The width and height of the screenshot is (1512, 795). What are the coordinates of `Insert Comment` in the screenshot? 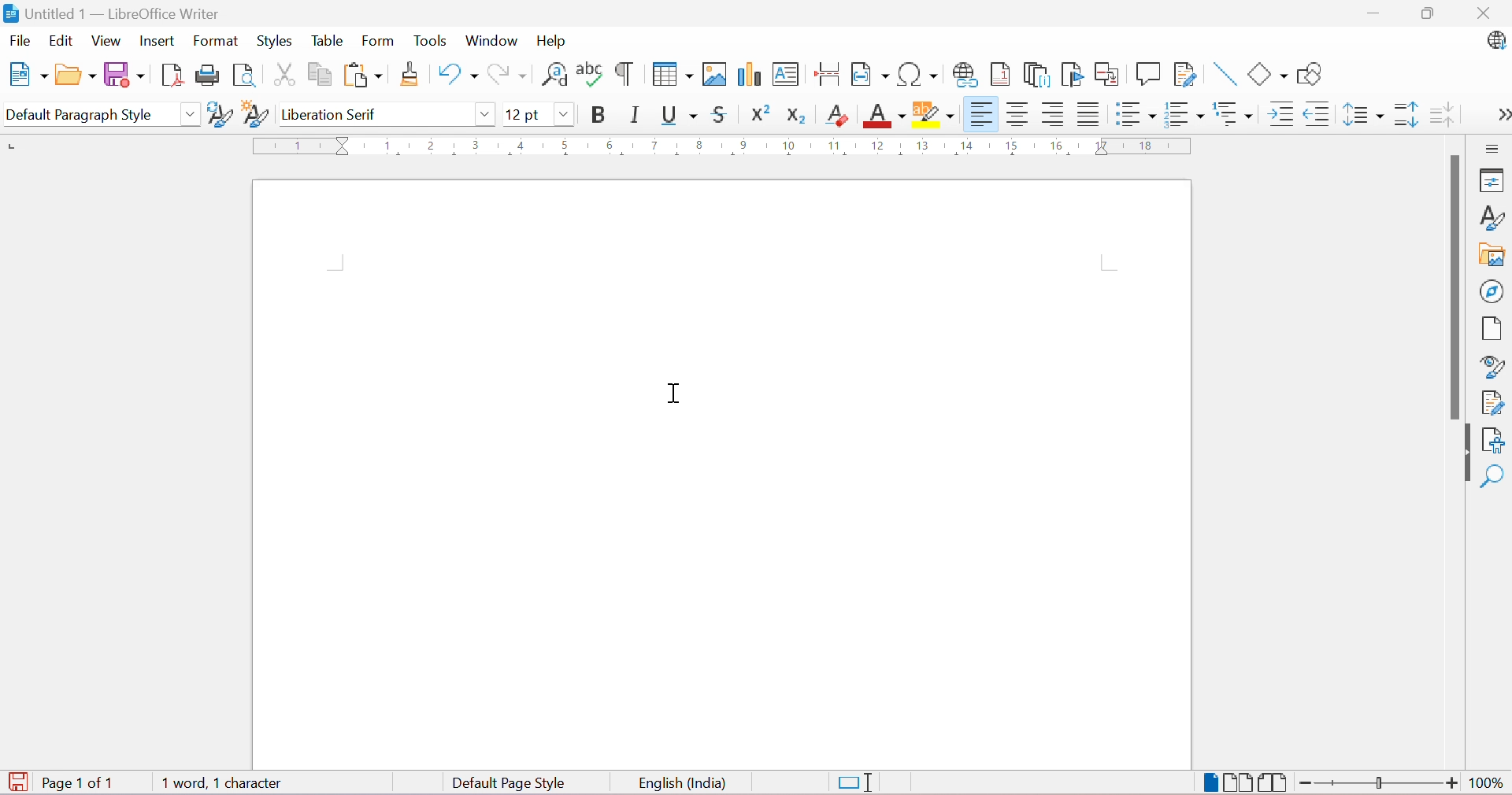 It's located at (1147, 73).